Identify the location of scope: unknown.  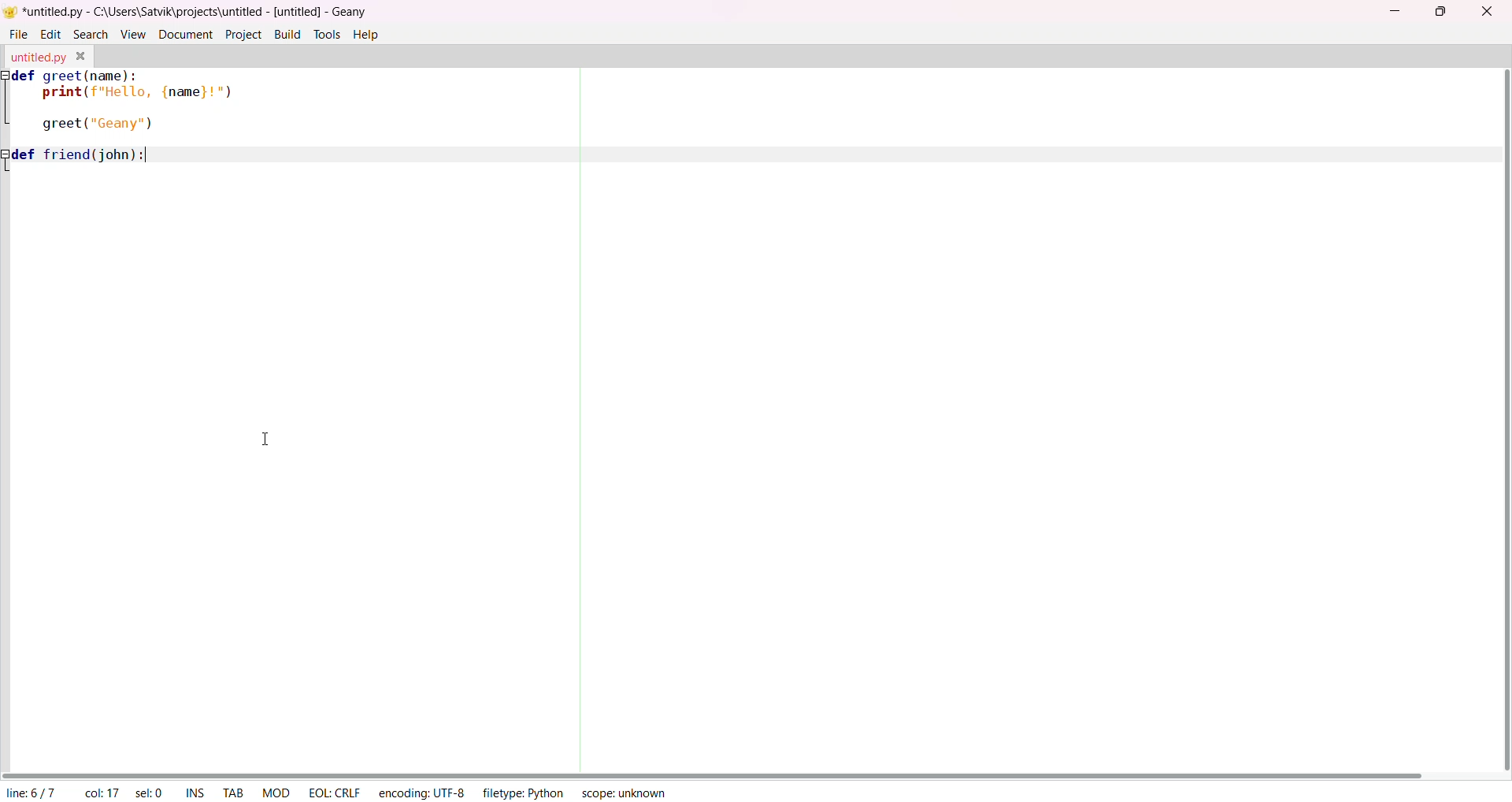
(631, 793).